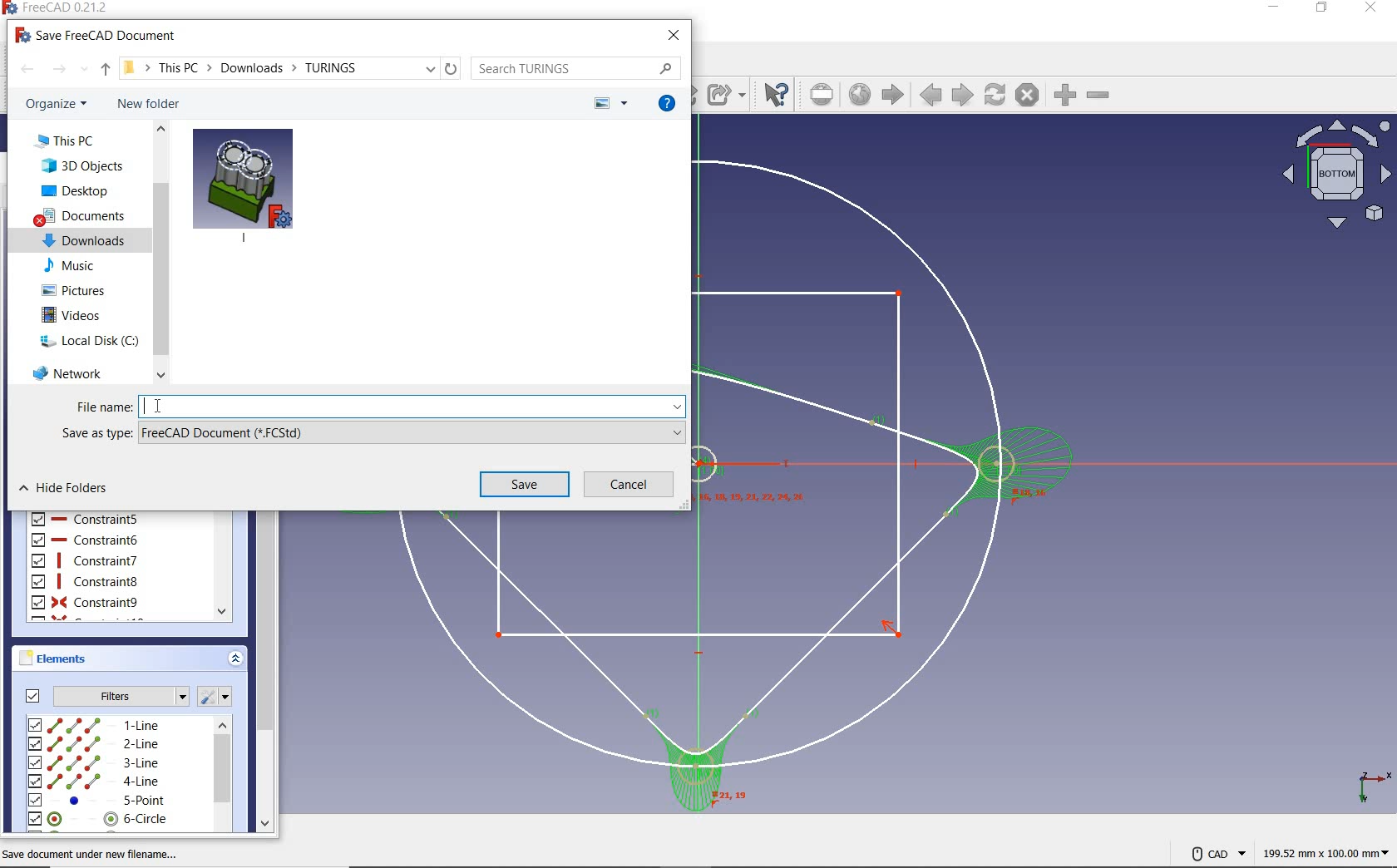 Image resolution: width=1397 pixels, height=868 pixels. I want to click on desktop, so click(76, 191).